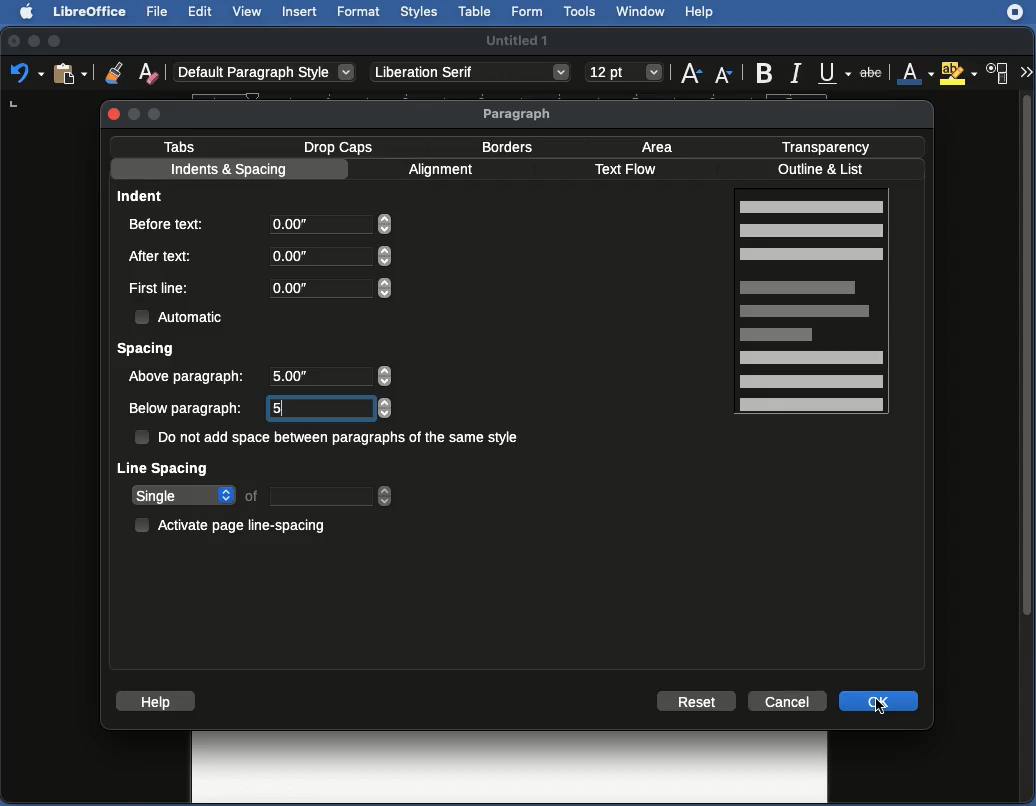  What do you see at coordinates (201, 11) in the screenshot?
I see `Edit` at bounding box center [201, 11].